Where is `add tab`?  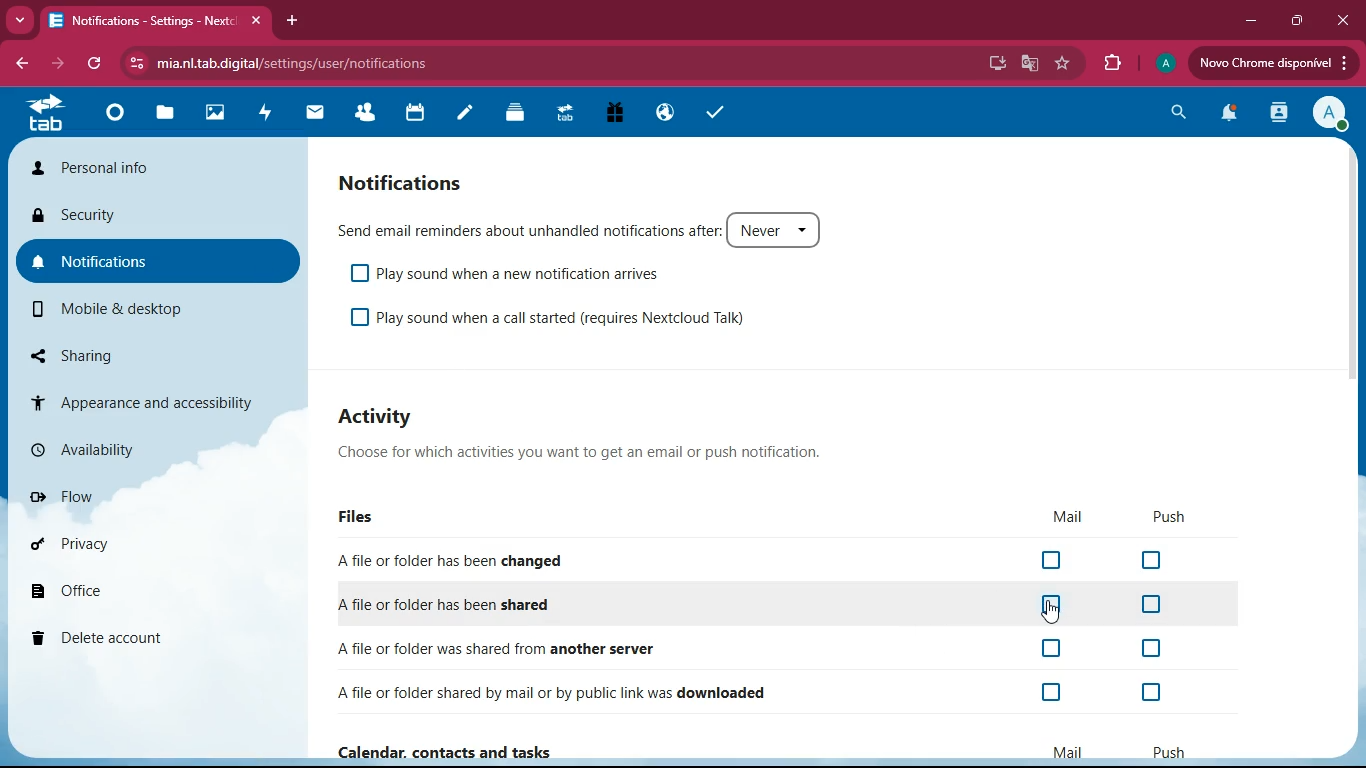
add tab is located at coordinates (290, 21).